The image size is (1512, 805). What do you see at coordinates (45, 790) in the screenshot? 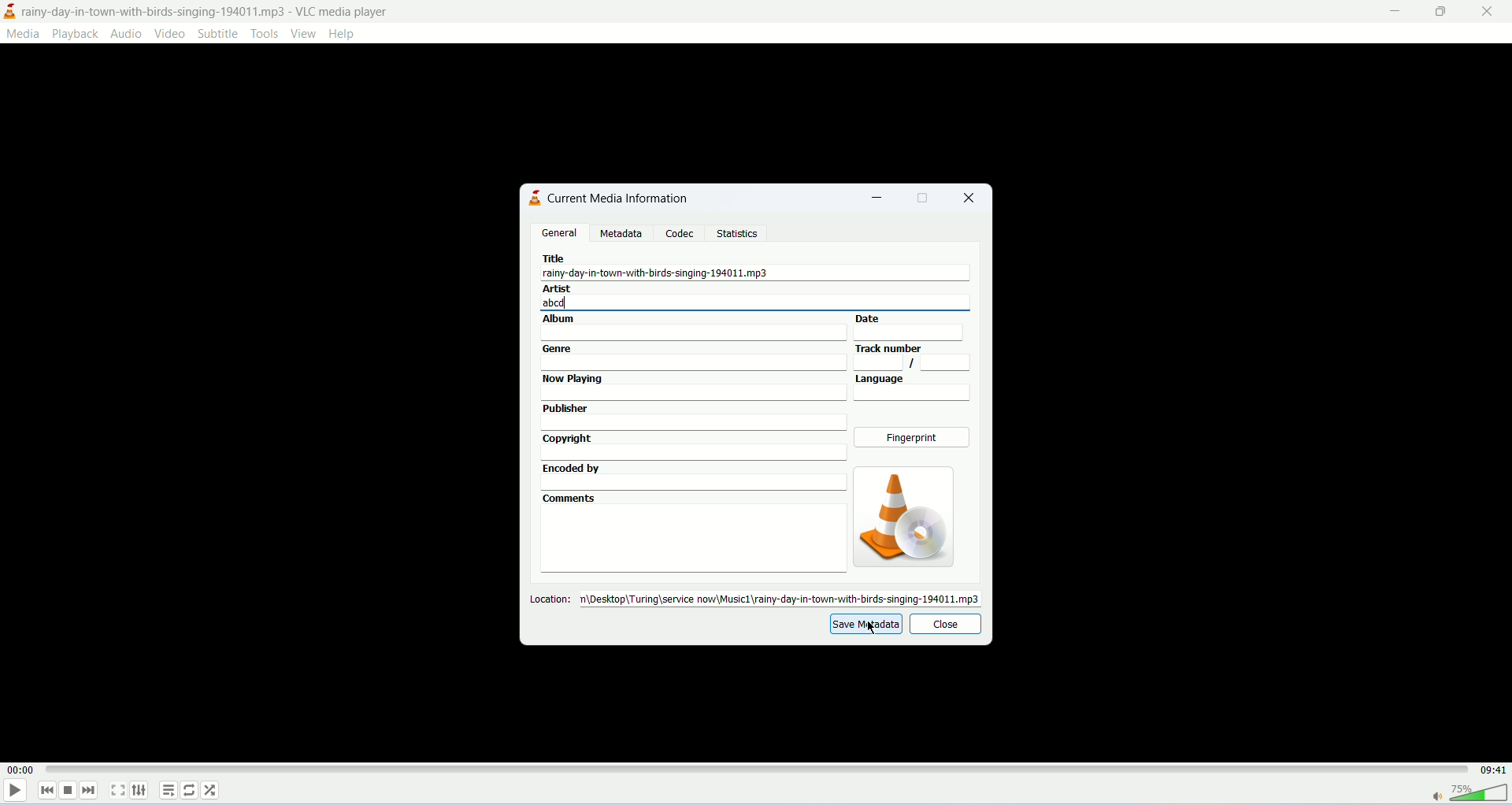
I see `previous` at bounding box center [45, 790].